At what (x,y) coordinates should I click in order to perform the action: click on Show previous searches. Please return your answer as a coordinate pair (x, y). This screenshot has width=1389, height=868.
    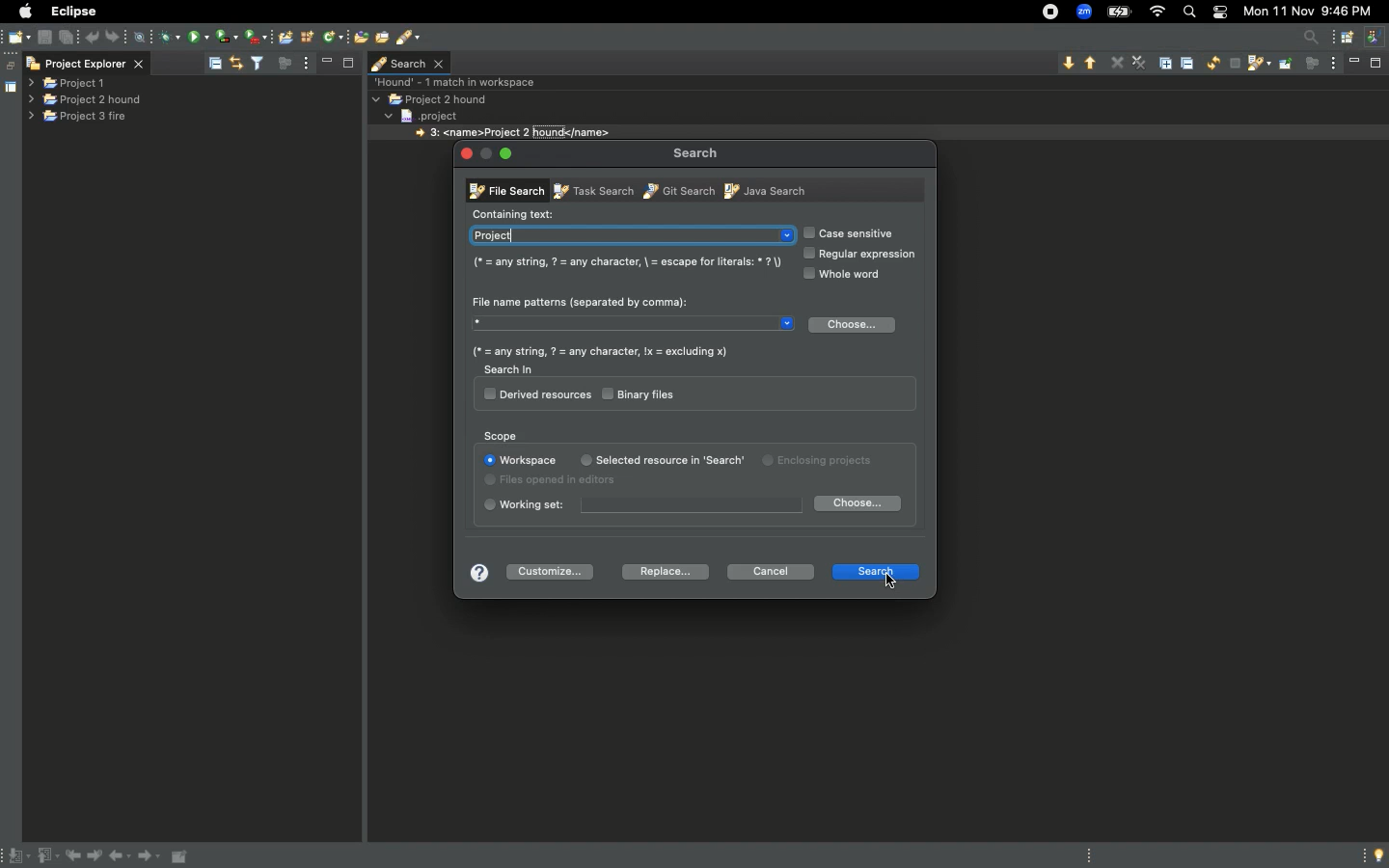
    Looking at the image, I should click on (1258, 66).